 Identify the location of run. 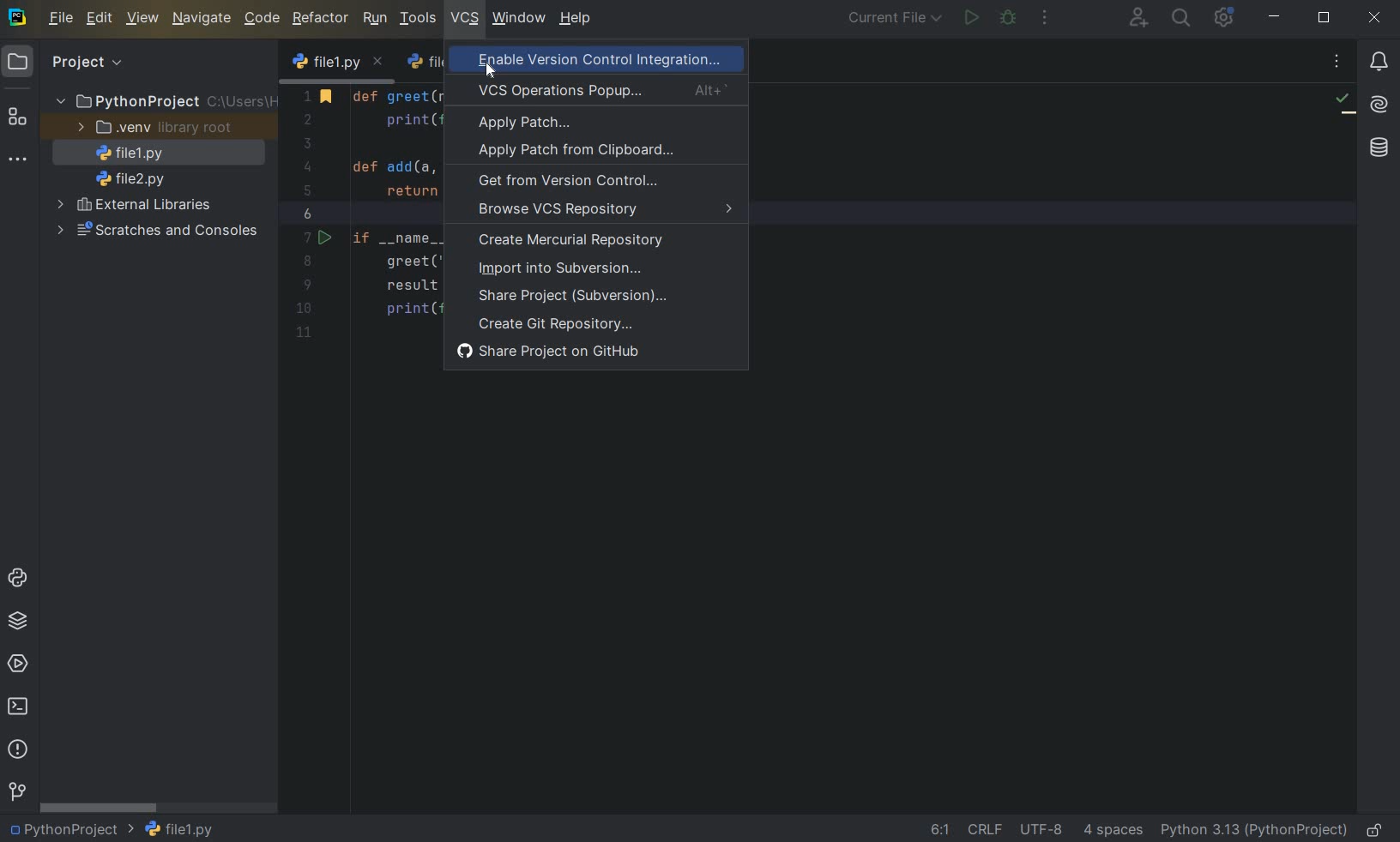
(972, 19).